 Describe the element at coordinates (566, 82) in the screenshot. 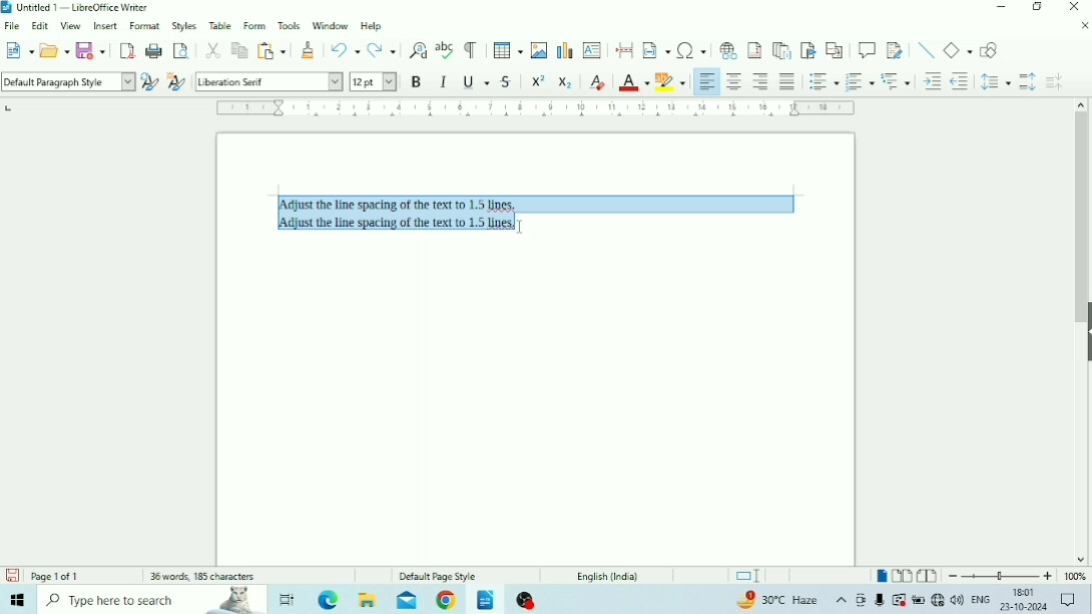

I see `Subscript` at that location.